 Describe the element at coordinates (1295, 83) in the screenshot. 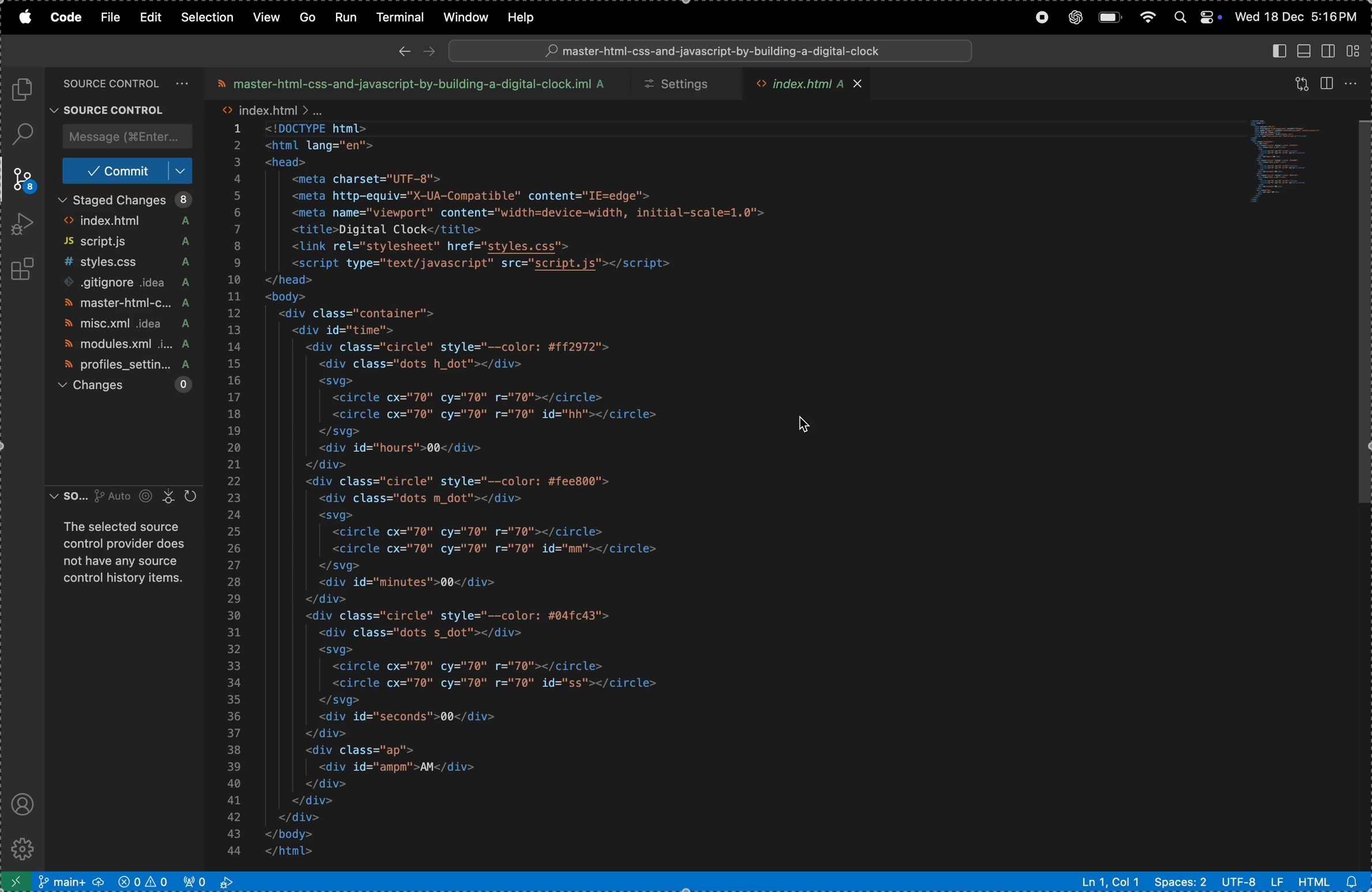

I see `refresh` at that location.